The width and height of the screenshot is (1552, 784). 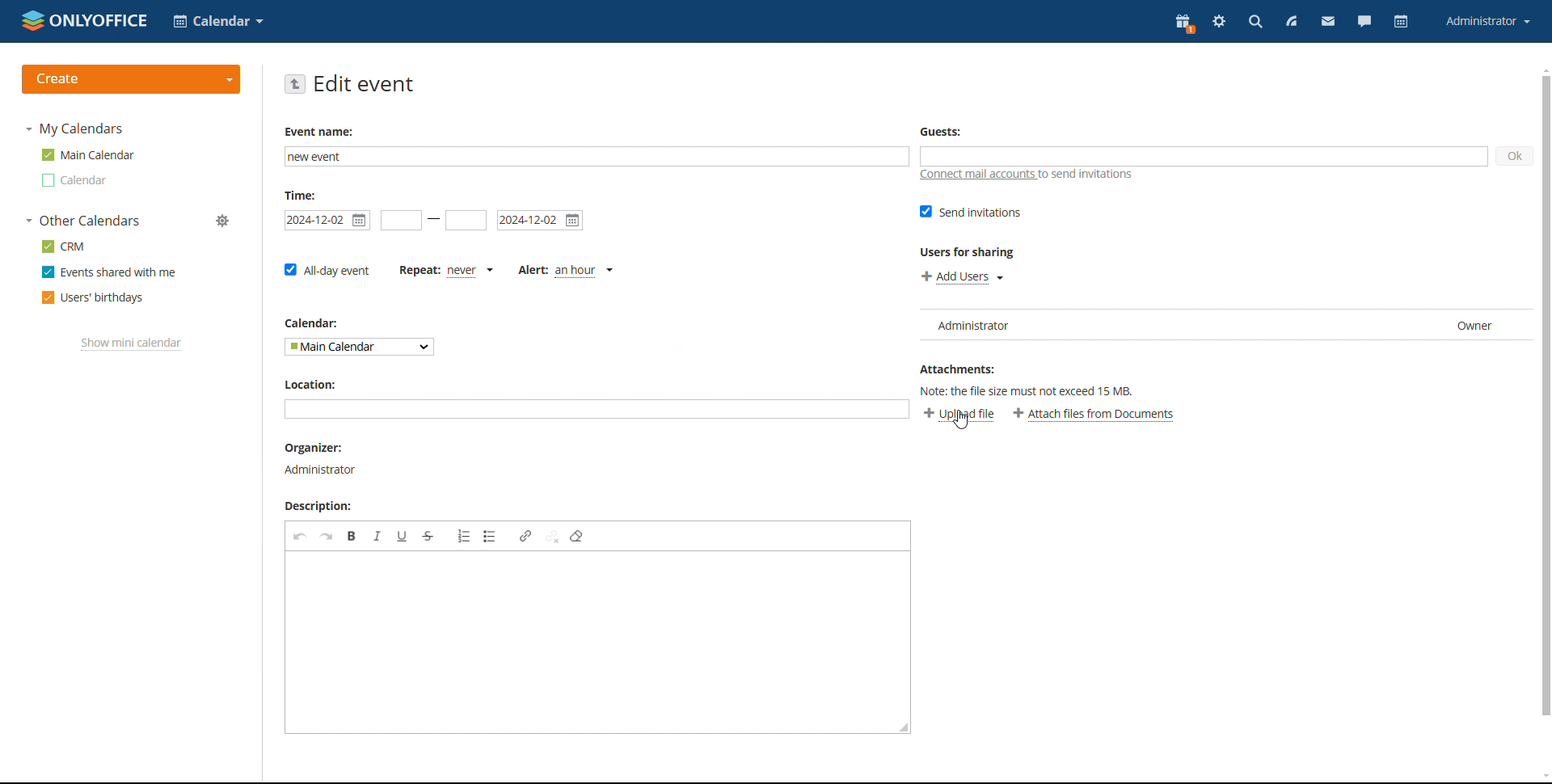 What do you see at coordinates (1488, 23) in the screenshot?
I see `account` at bounding box center [1488, 23].